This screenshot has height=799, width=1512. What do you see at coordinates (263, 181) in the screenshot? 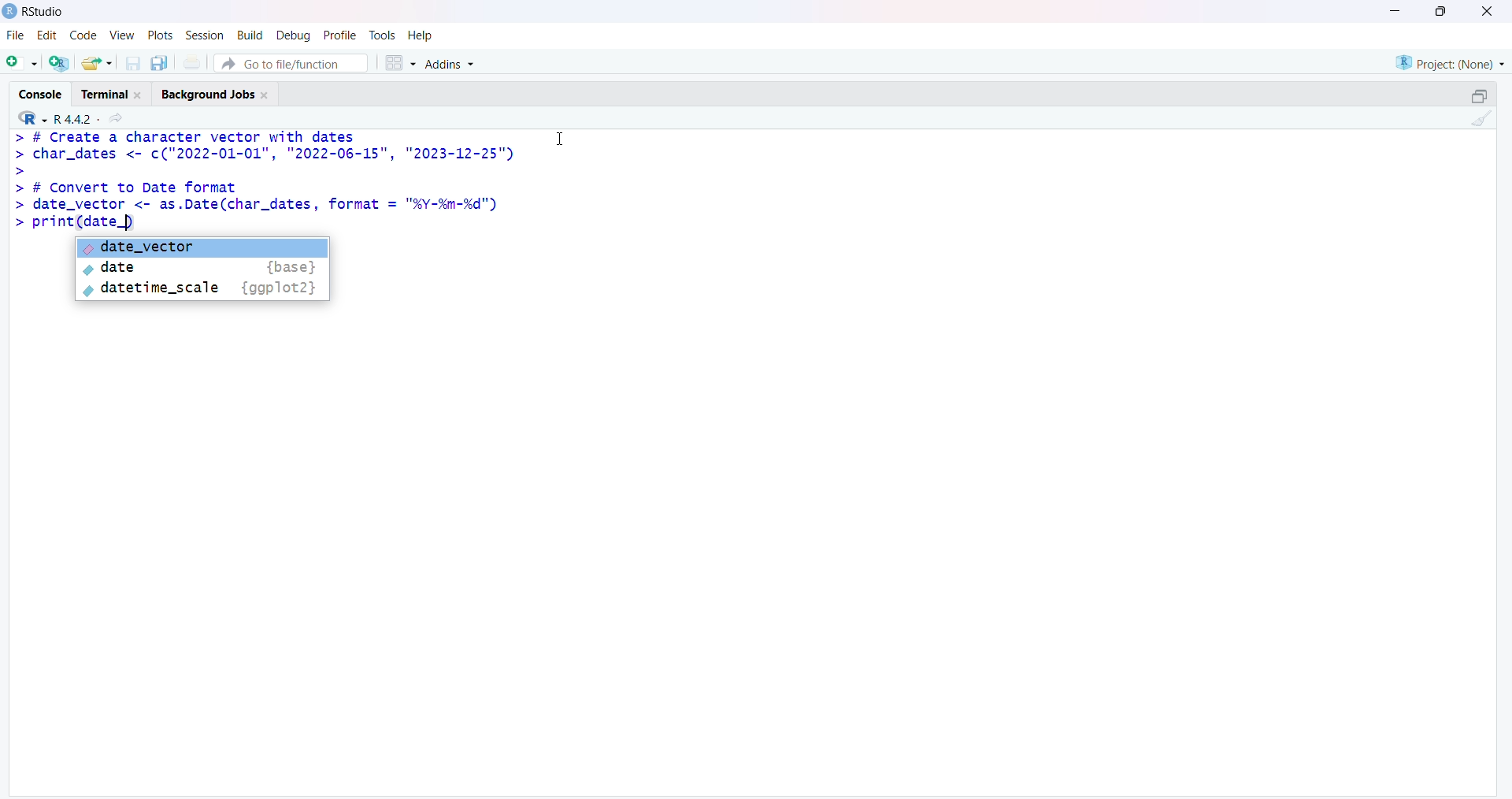
I see `> # Create a character vector with dates

> char_dates <- c("2022-01-01", "2022-06-15", "2023-12-25")
>

> # Convert to Date format

> date_vector <- as.Date(char_dates, format = "%Y-%m-%d")
> print(date_))` at bounding box center [263, 181].